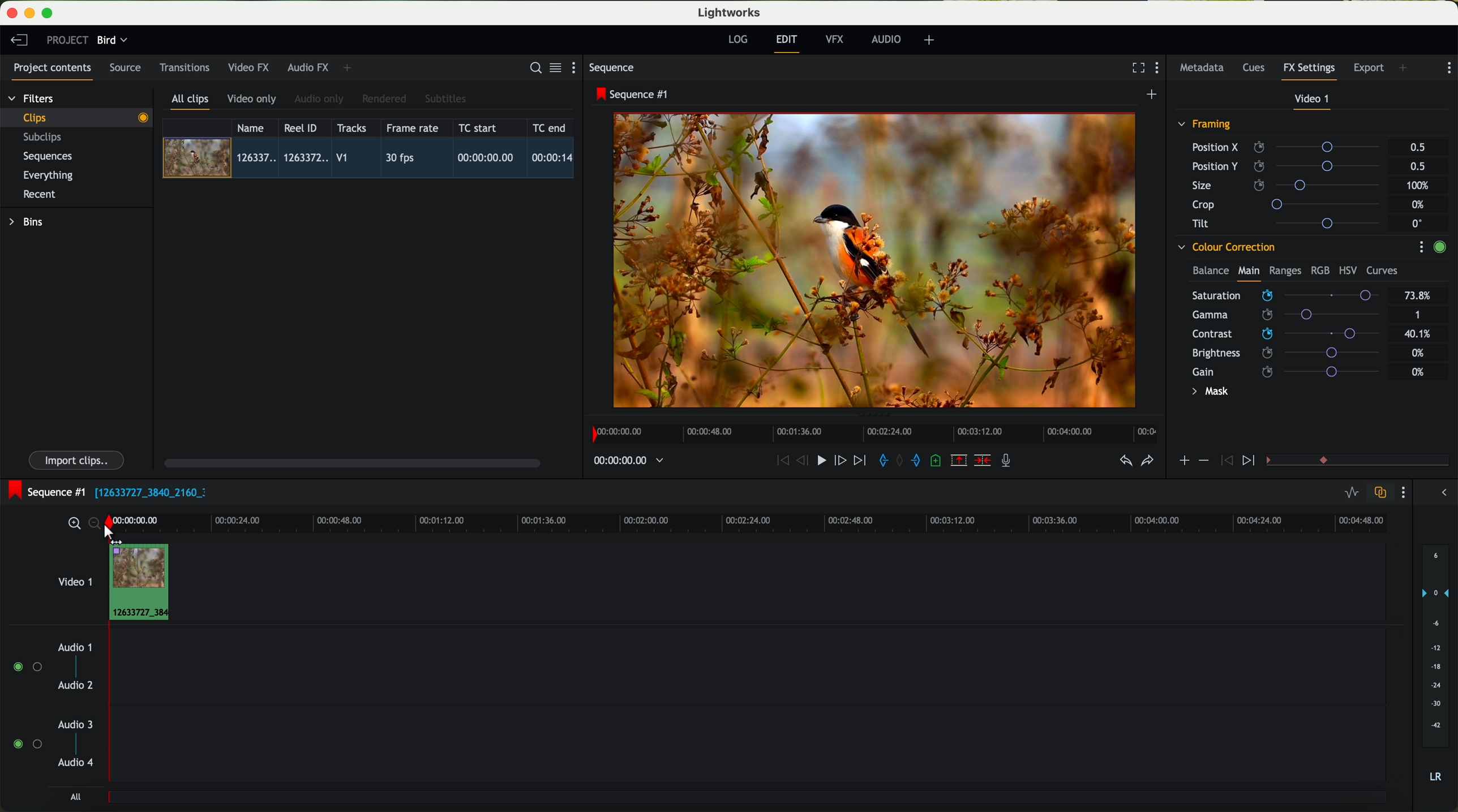 The height and width of the screenshot is (812, 1458). Describe the element at coordinates (308, 67) in the screenshot. I see `audio FX` at that location.